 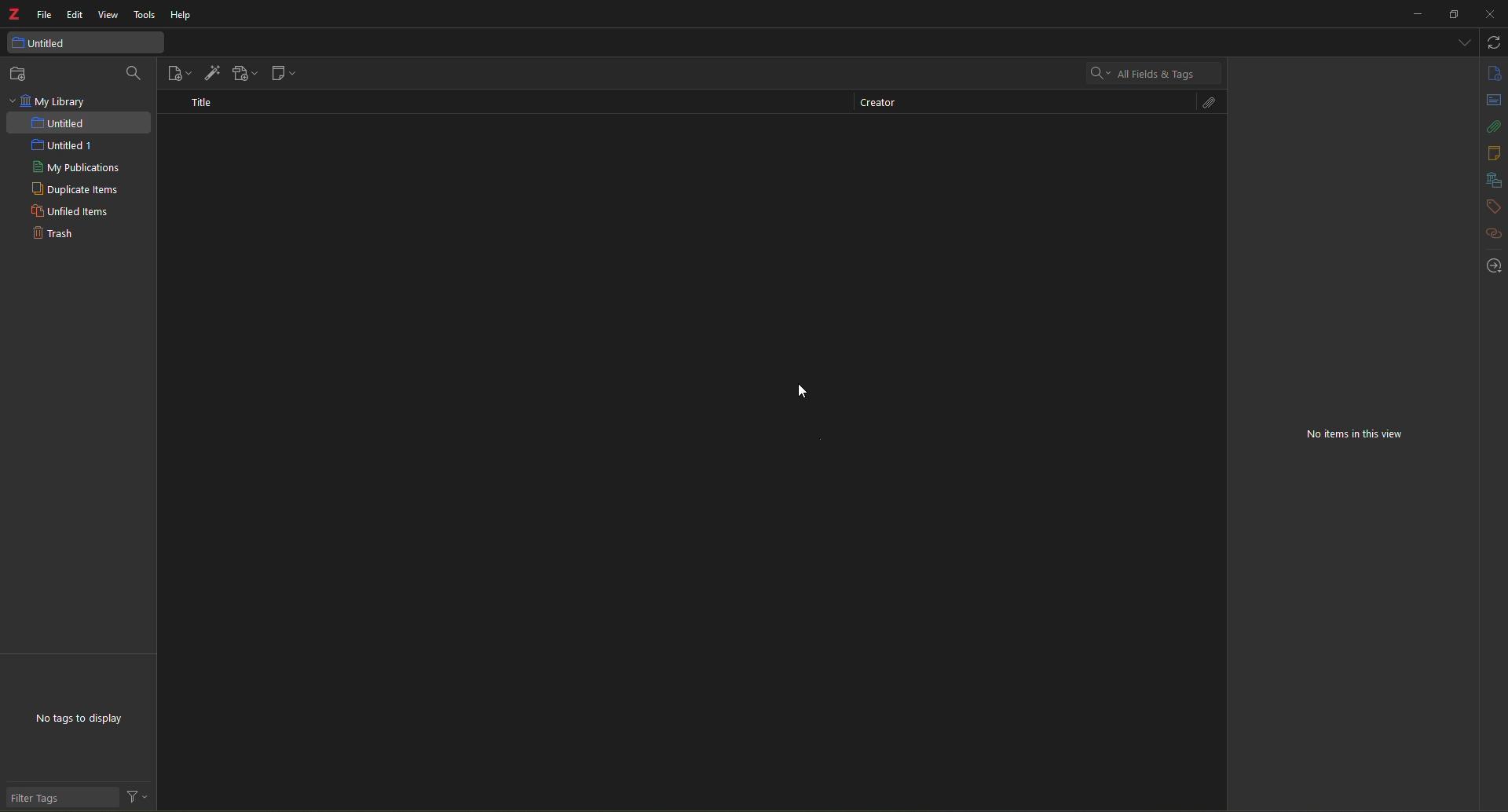 What do you see at coordinates (1494, 73) in the screenshot?
I see `info` at bounding box center [1494, 73].